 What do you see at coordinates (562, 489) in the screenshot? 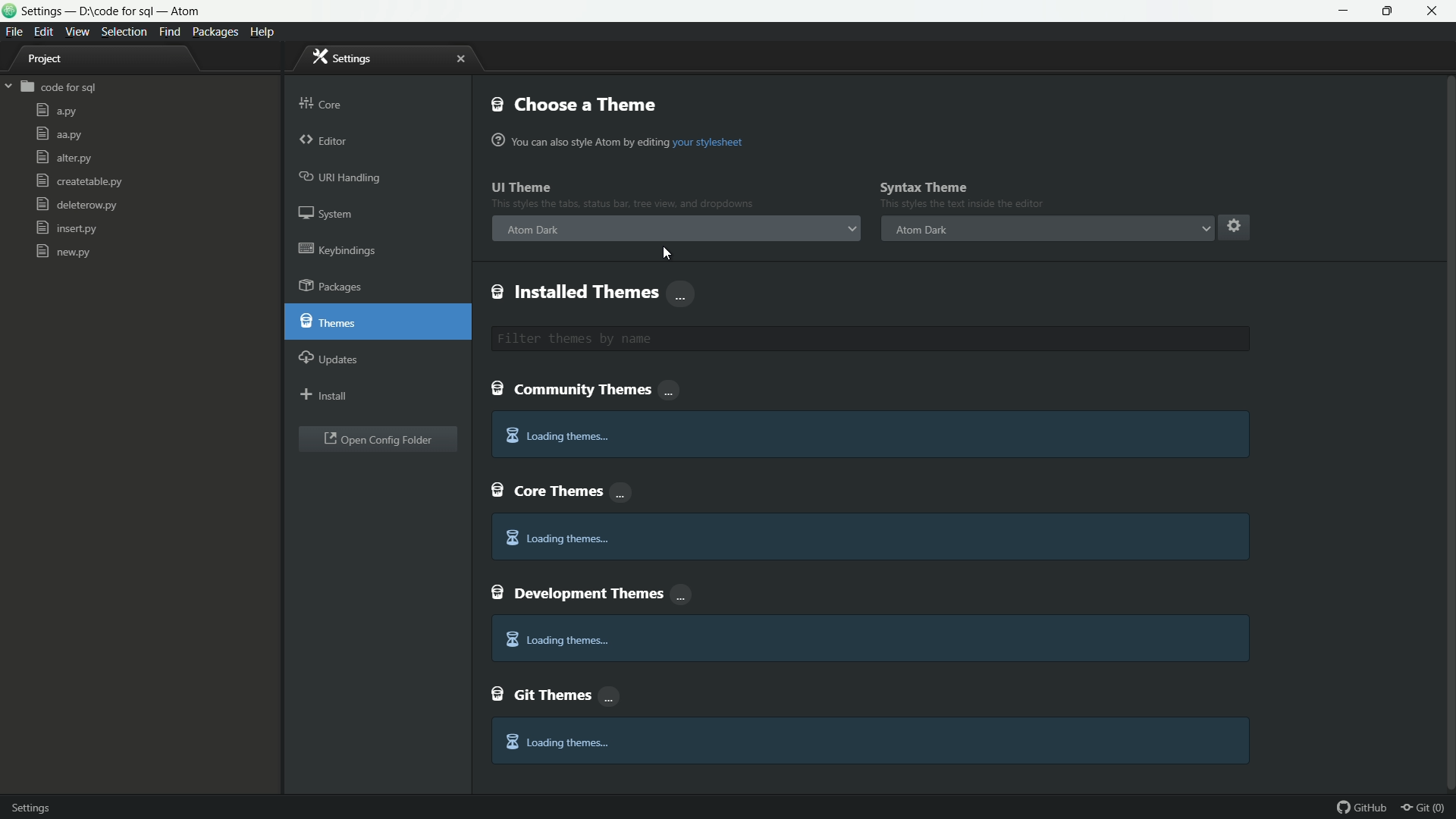
I see `core themes` at bounding box center [562, 489].